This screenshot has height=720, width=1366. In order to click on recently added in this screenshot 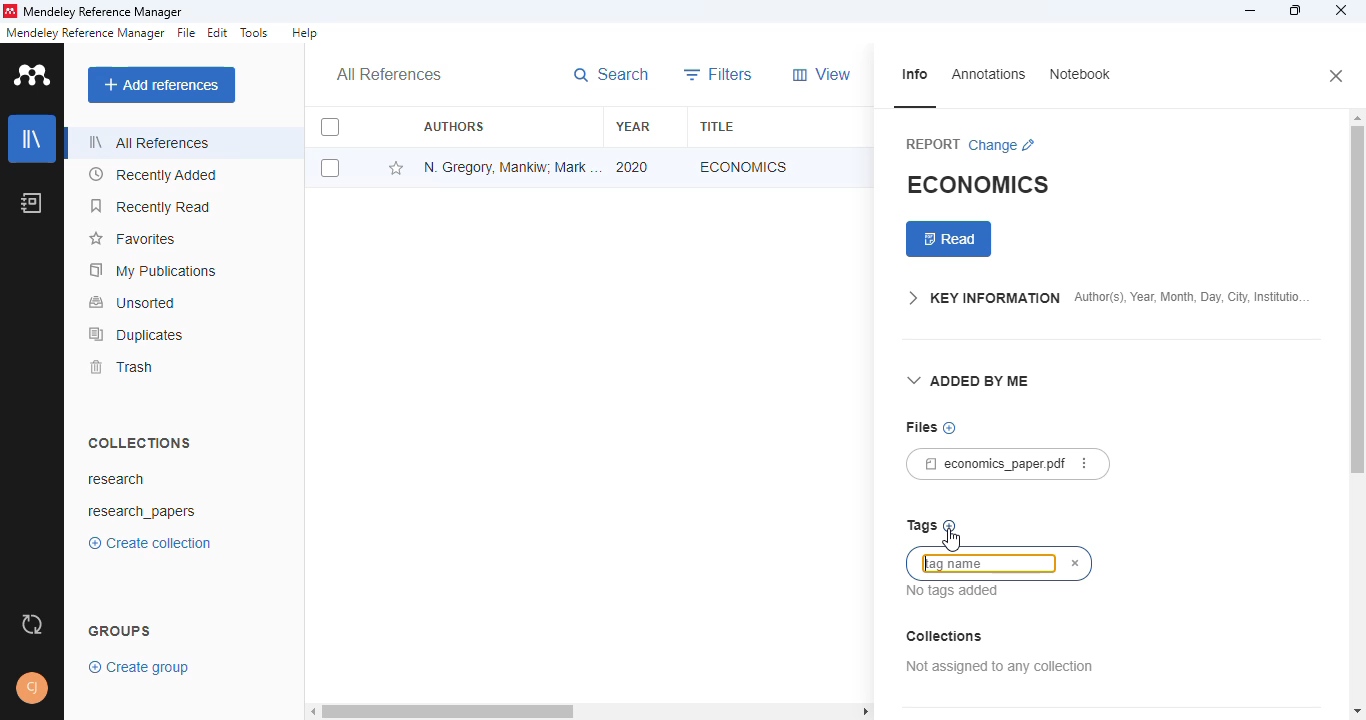, I will do `click(151, 175)`.